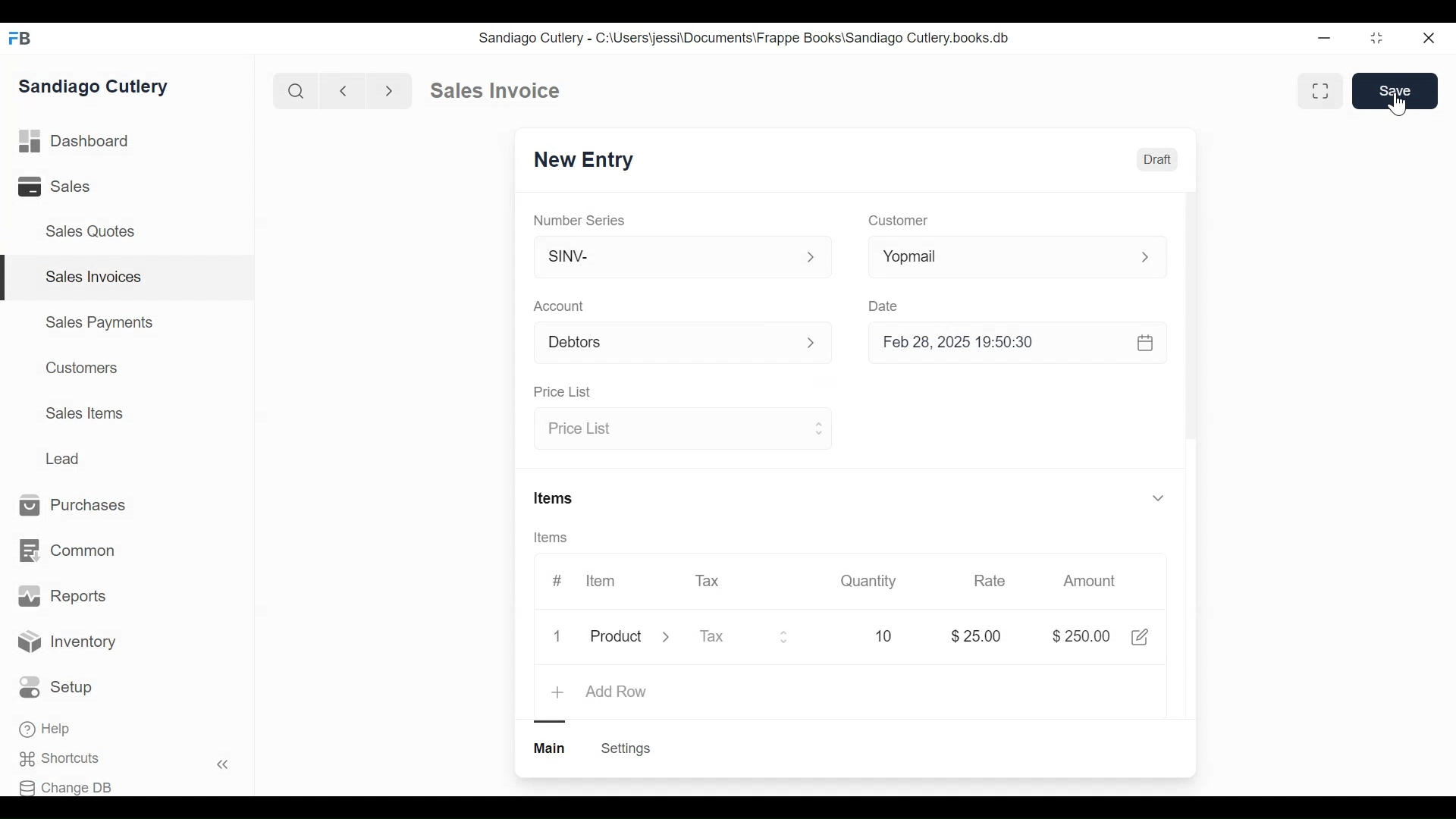  What do you see at coordinates (870, 581) in the screenshot?
I see `Quantity` at bounding box center [870, 581].